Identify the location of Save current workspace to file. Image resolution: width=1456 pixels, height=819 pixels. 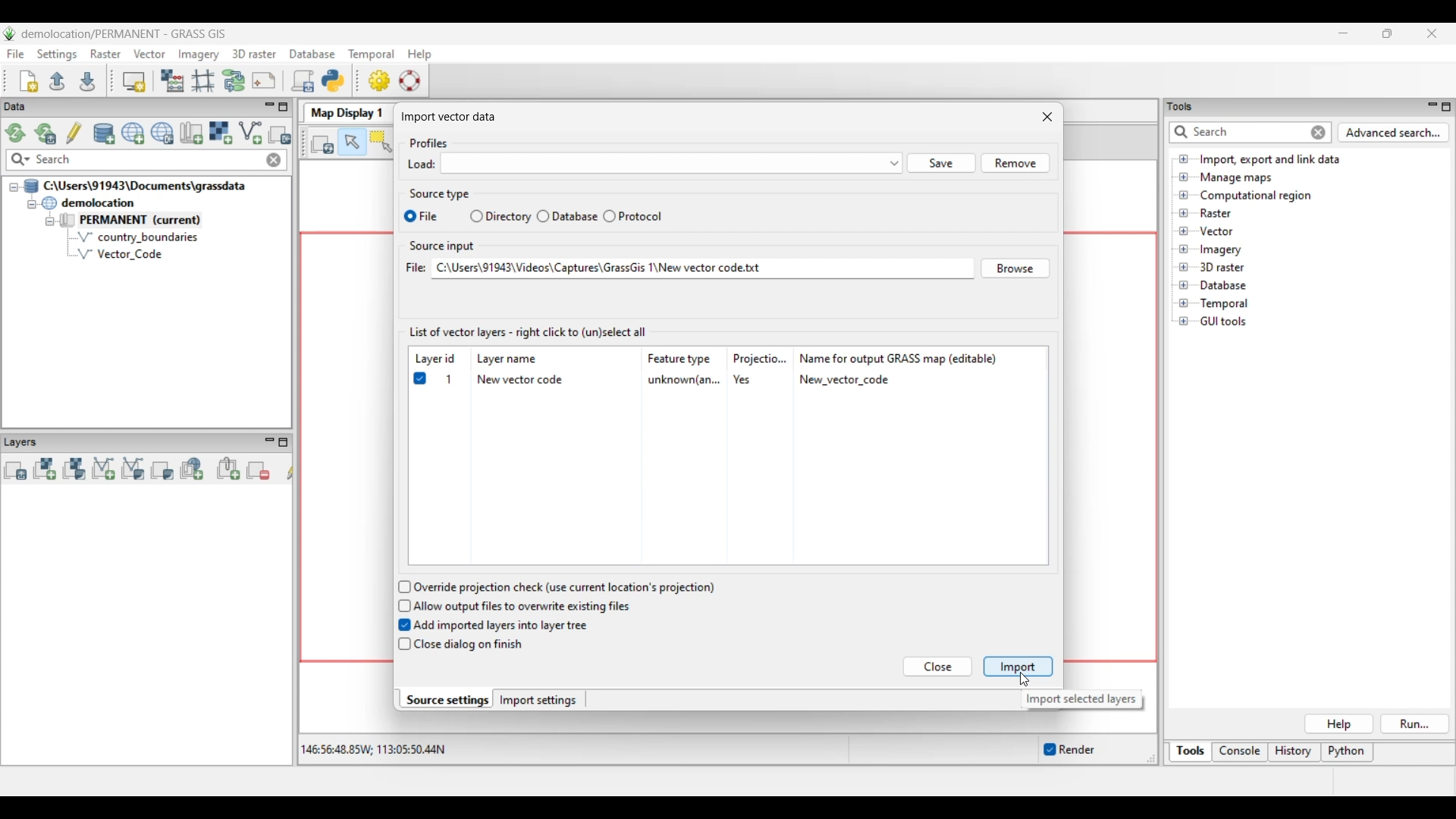
(87, 80).